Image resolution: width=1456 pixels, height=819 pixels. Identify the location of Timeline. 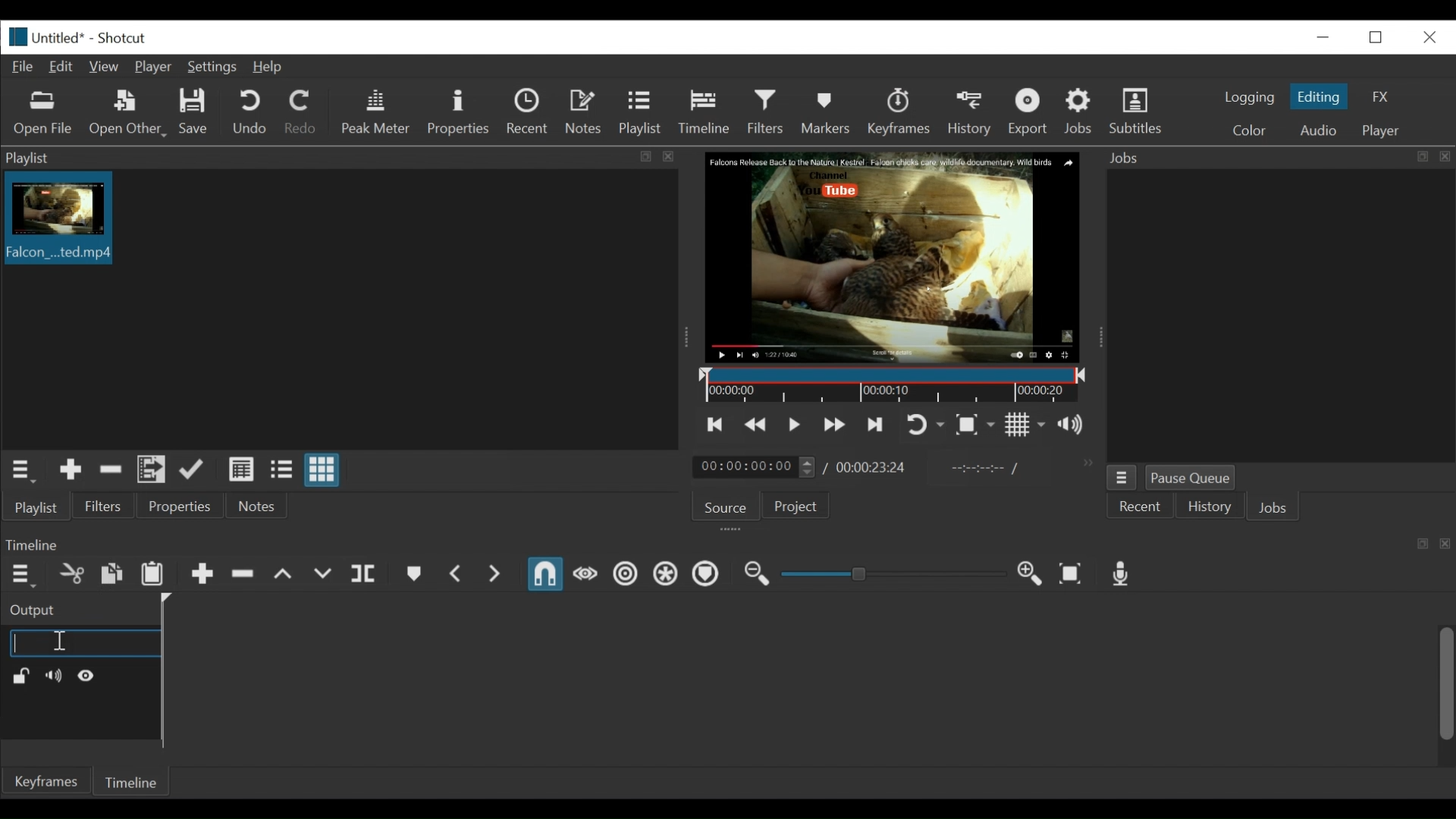
(893, 385).